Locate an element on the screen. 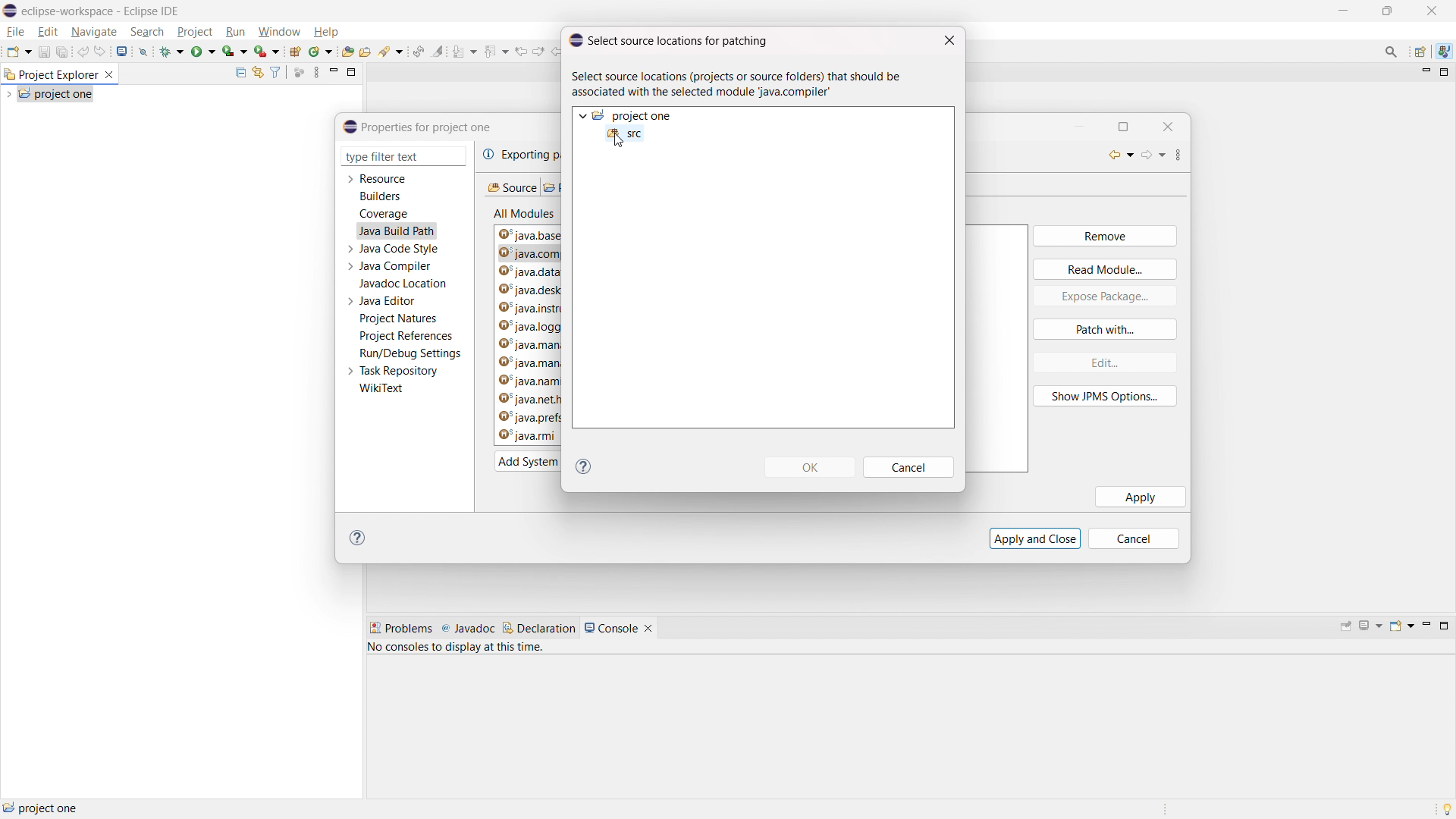 The height and width of the screenshot is (819, 1456). file is located at coordinates (16, 32).